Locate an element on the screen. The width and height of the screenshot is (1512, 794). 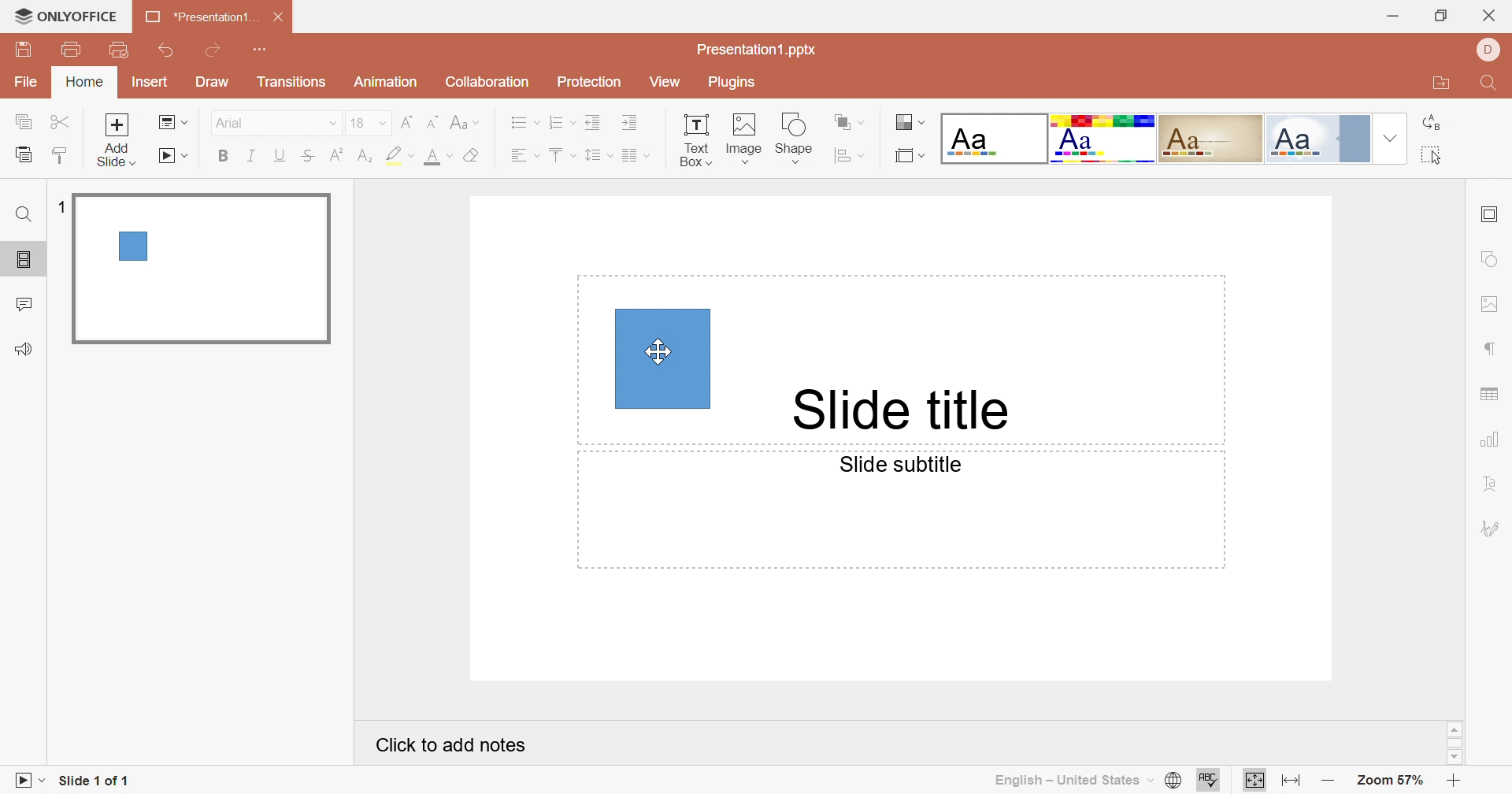
Insert is located at coordinates (149, 83).